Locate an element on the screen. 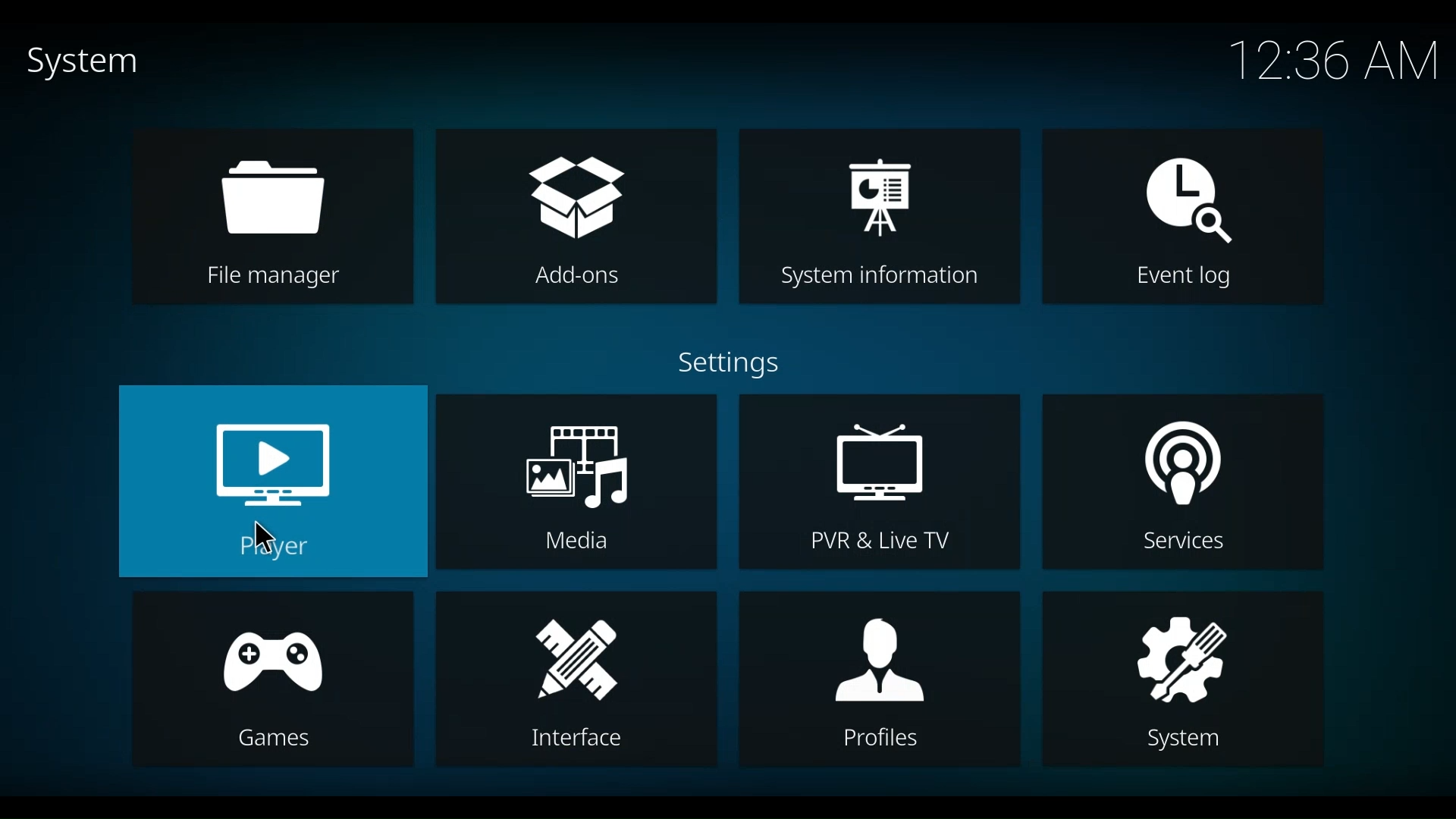  Player is located at coordinates (275, 480).